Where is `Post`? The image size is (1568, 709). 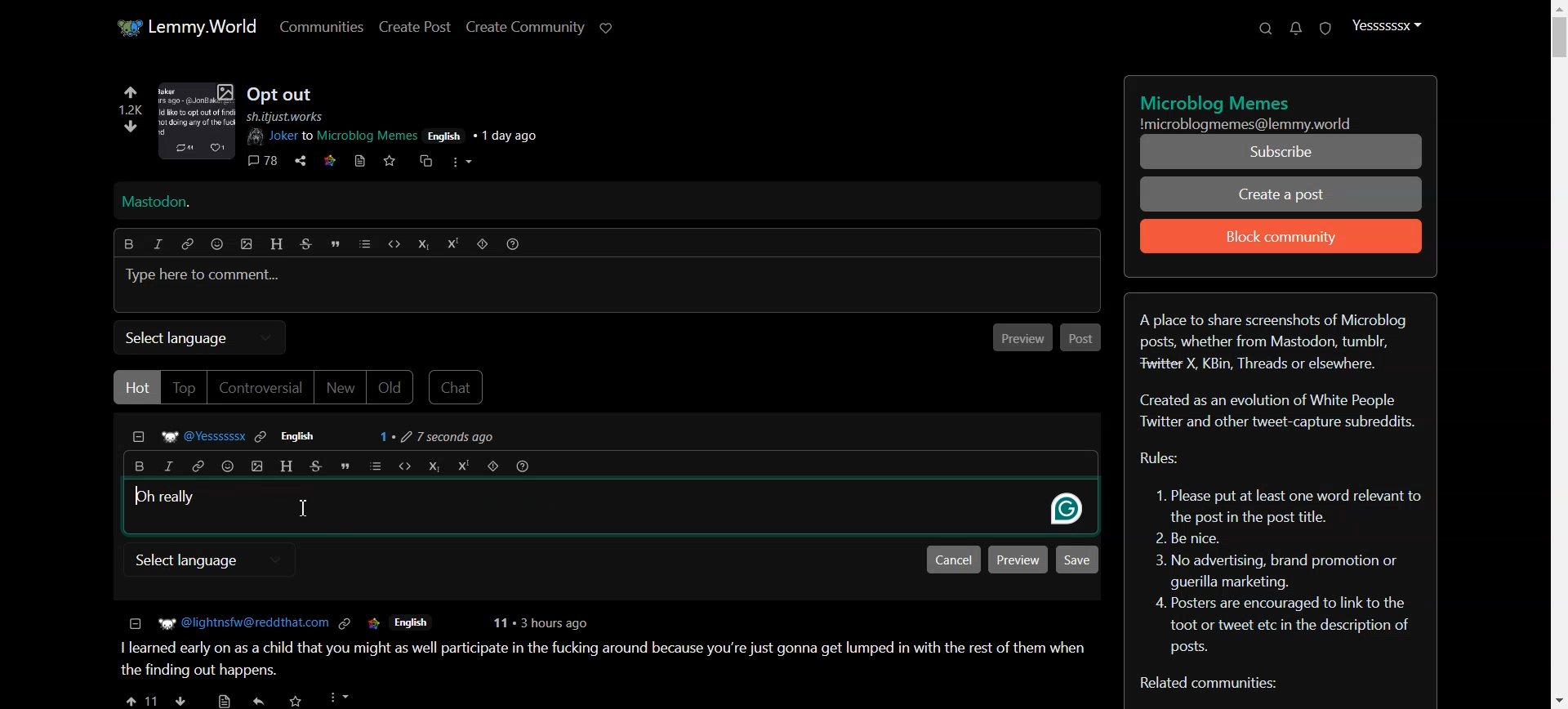
Post is located at coordinates (1083, 337).